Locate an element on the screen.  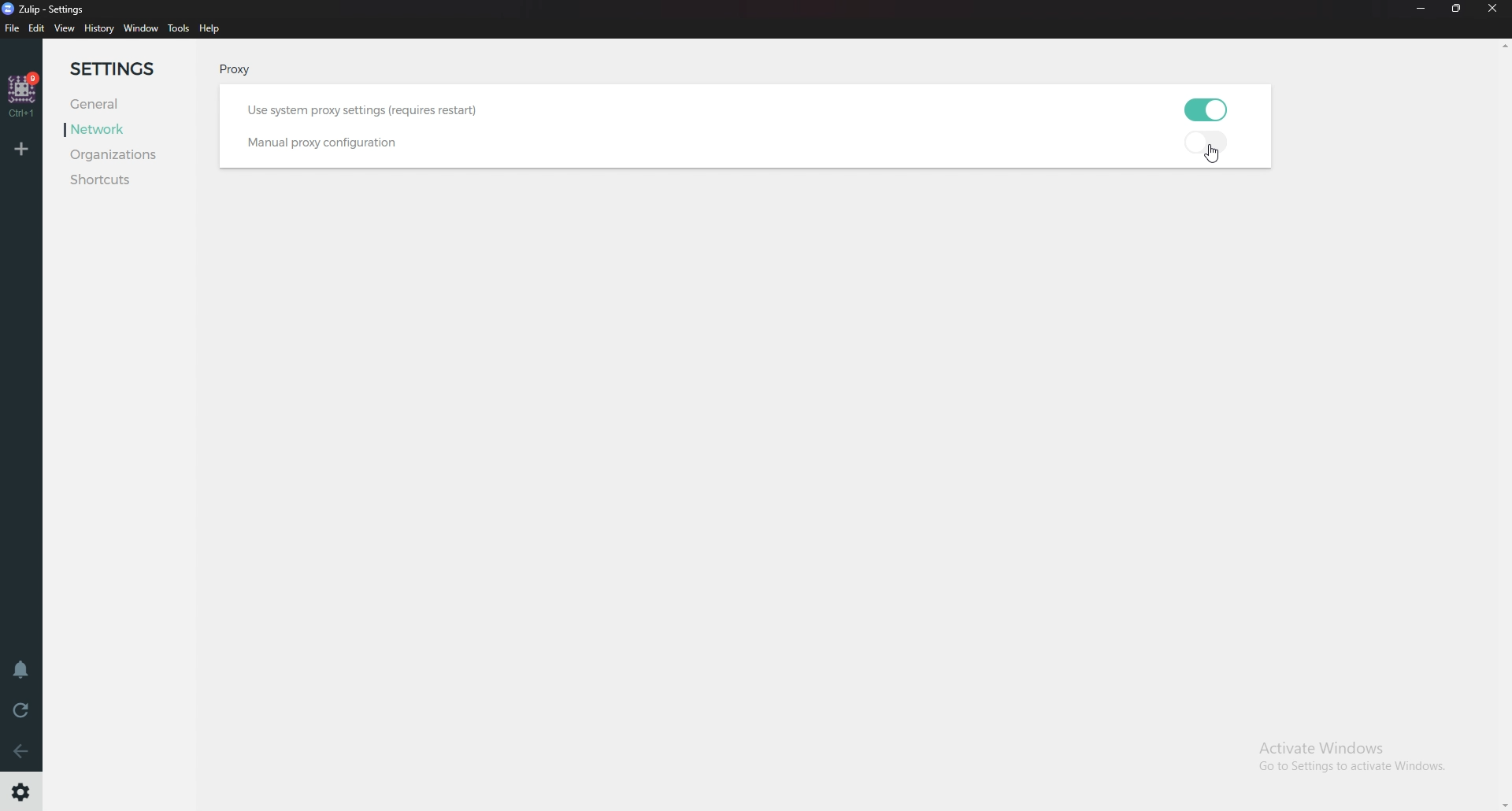
Settings is located at coordinates (22, 792).